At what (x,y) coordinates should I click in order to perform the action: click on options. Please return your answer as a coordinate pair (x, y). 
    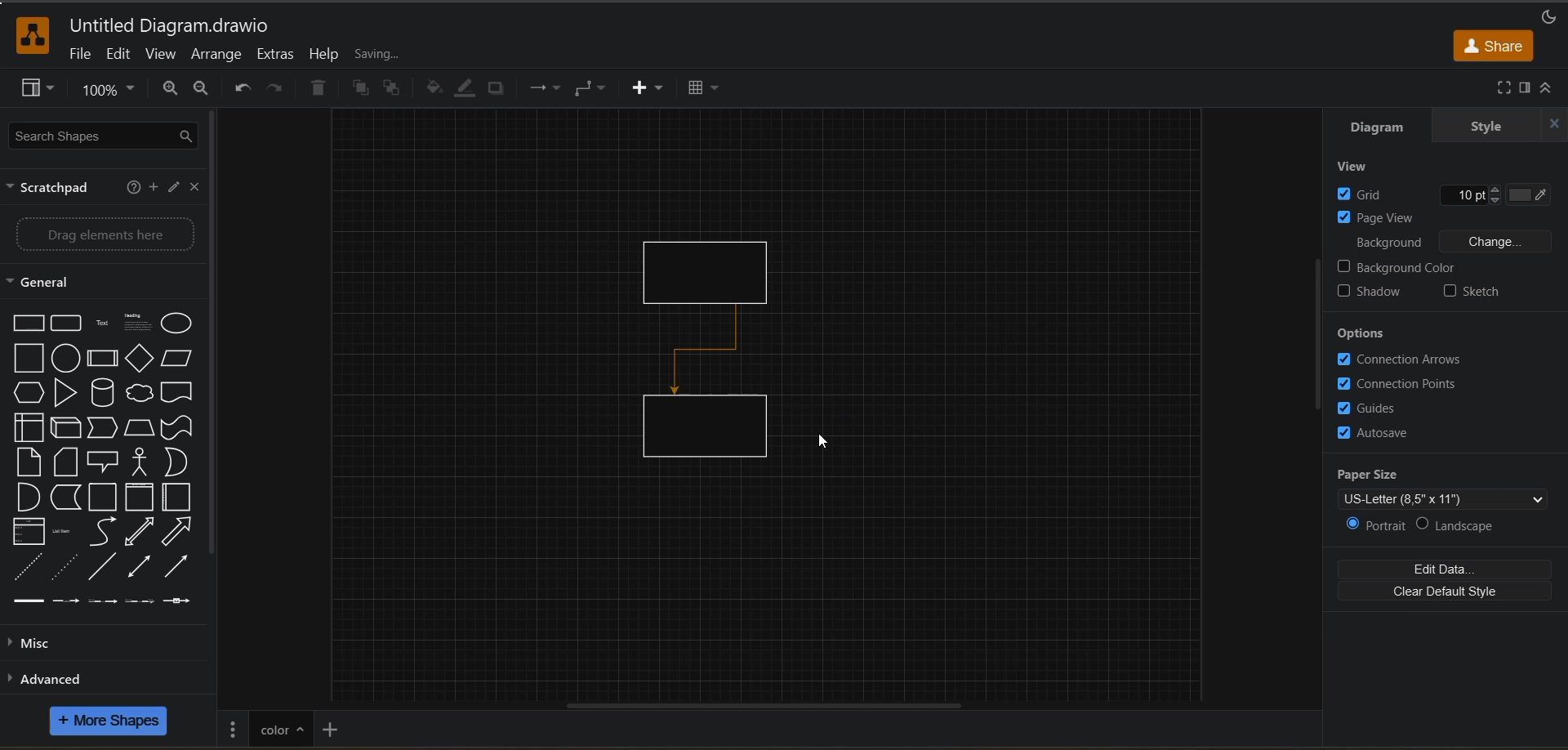
    Looking at the image, I should click on (1363, 335).